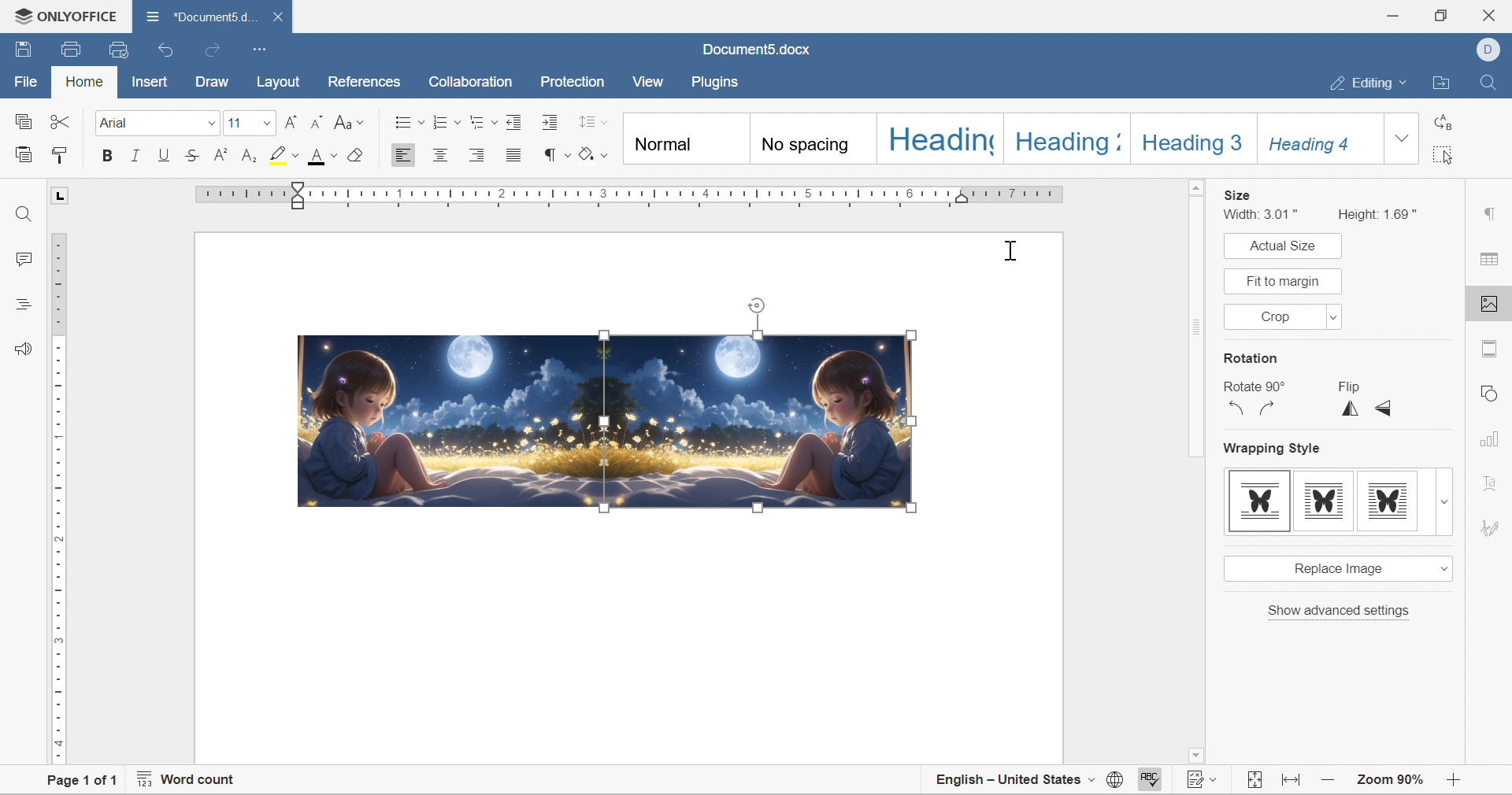 The height and width of the screenshot is (795, 1512). What do you see at coordinates (28, 81) in the screenshot?
I see `file` at bounding box center [28, 81].